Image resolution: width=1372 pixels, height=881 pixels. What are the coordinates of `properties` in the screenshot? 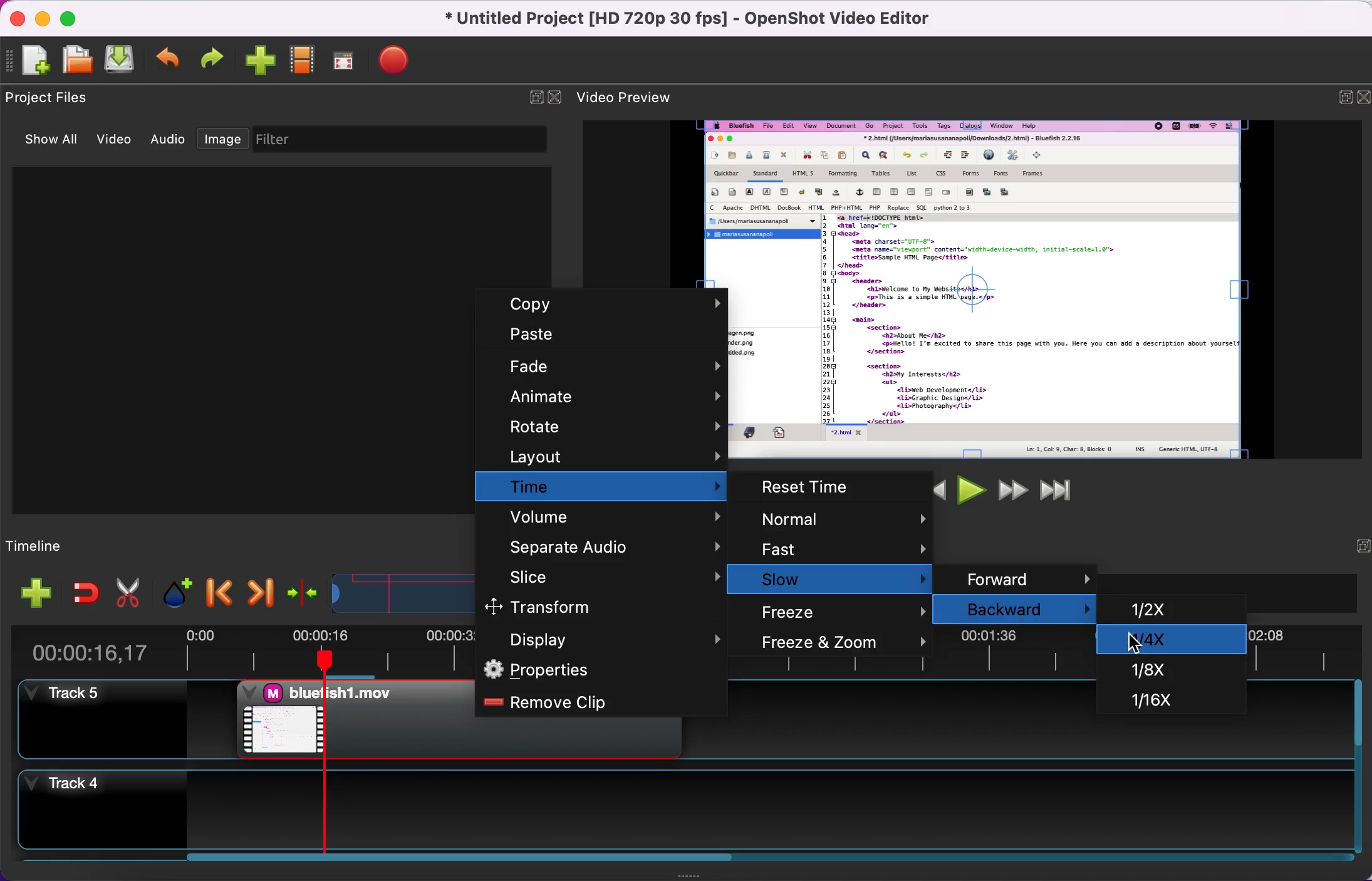 It's located at (600, 670).